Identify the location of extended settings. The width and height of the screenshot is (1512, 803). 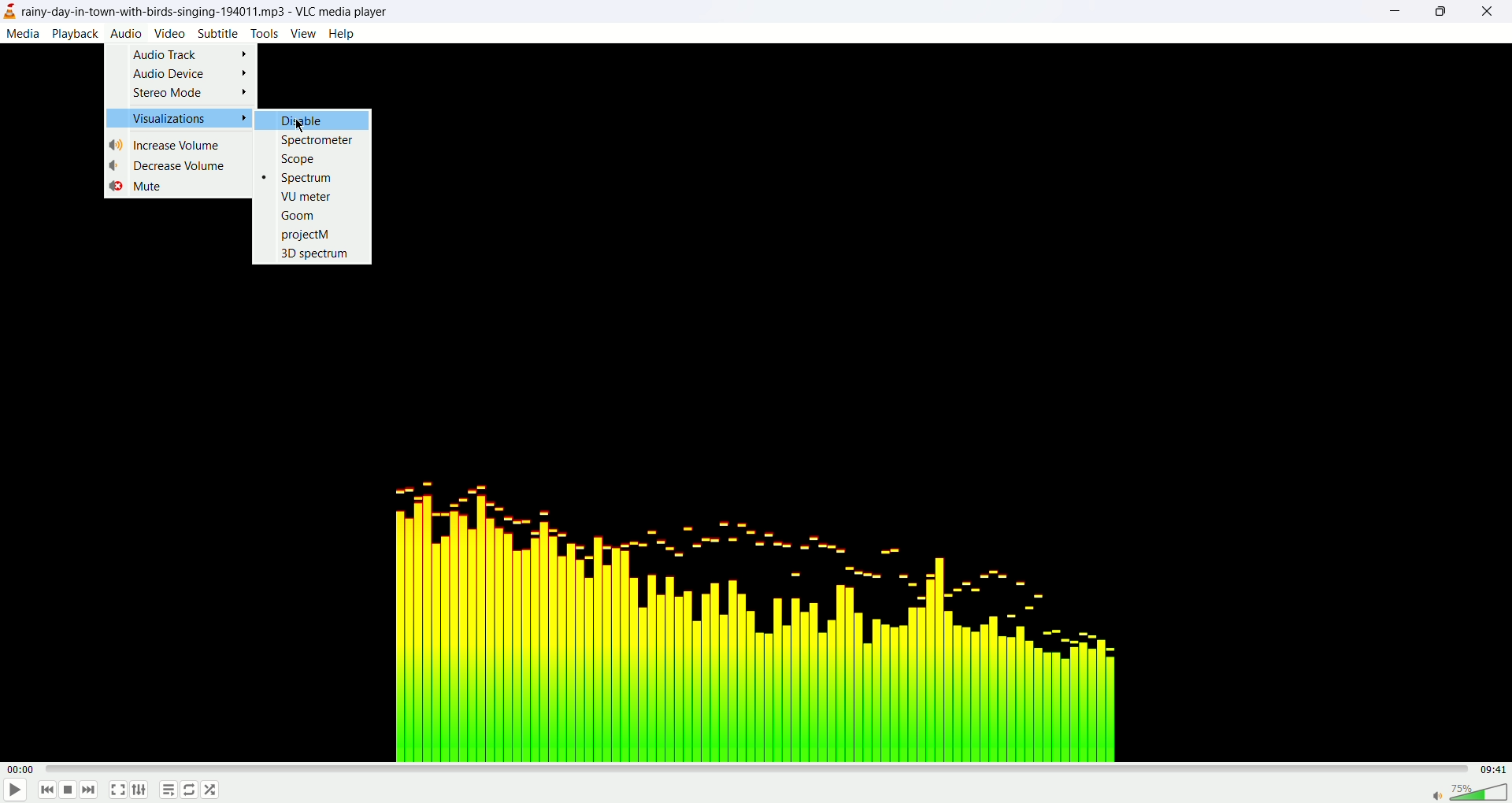
(143, 790).